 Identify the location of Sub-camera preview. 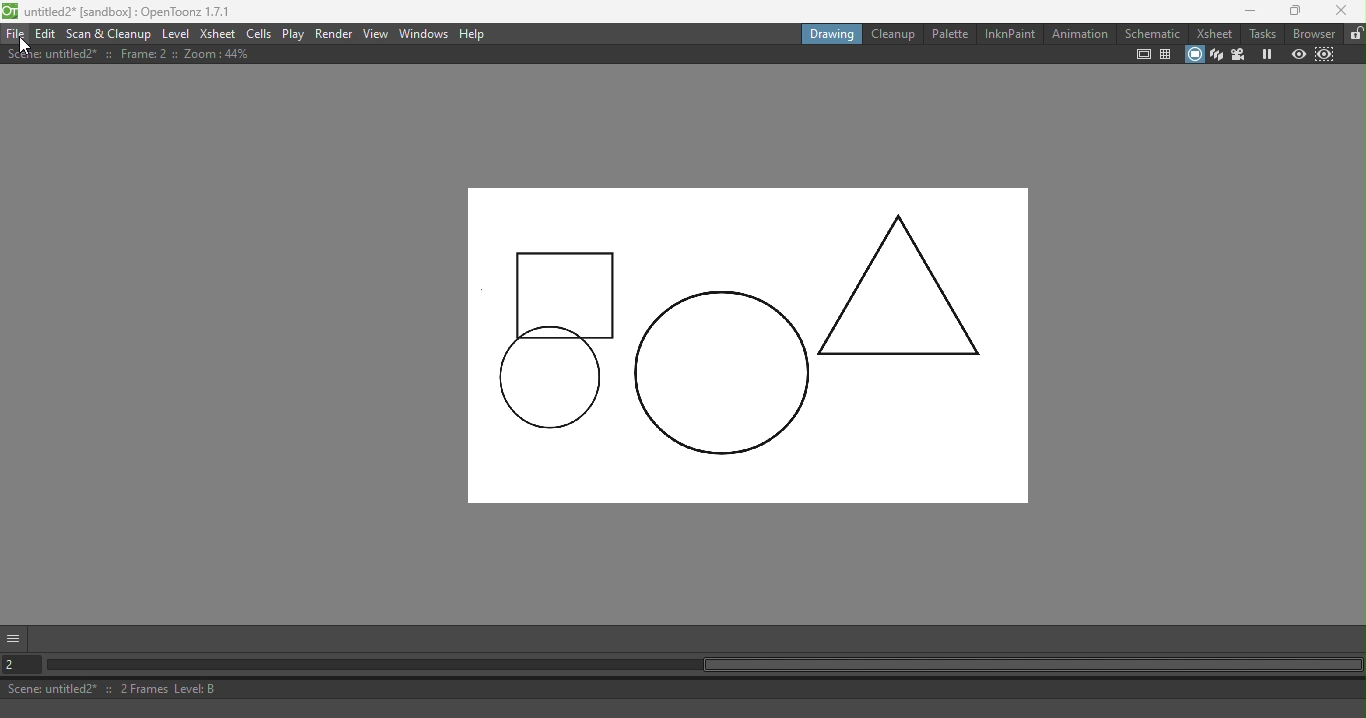
(1325, 57).